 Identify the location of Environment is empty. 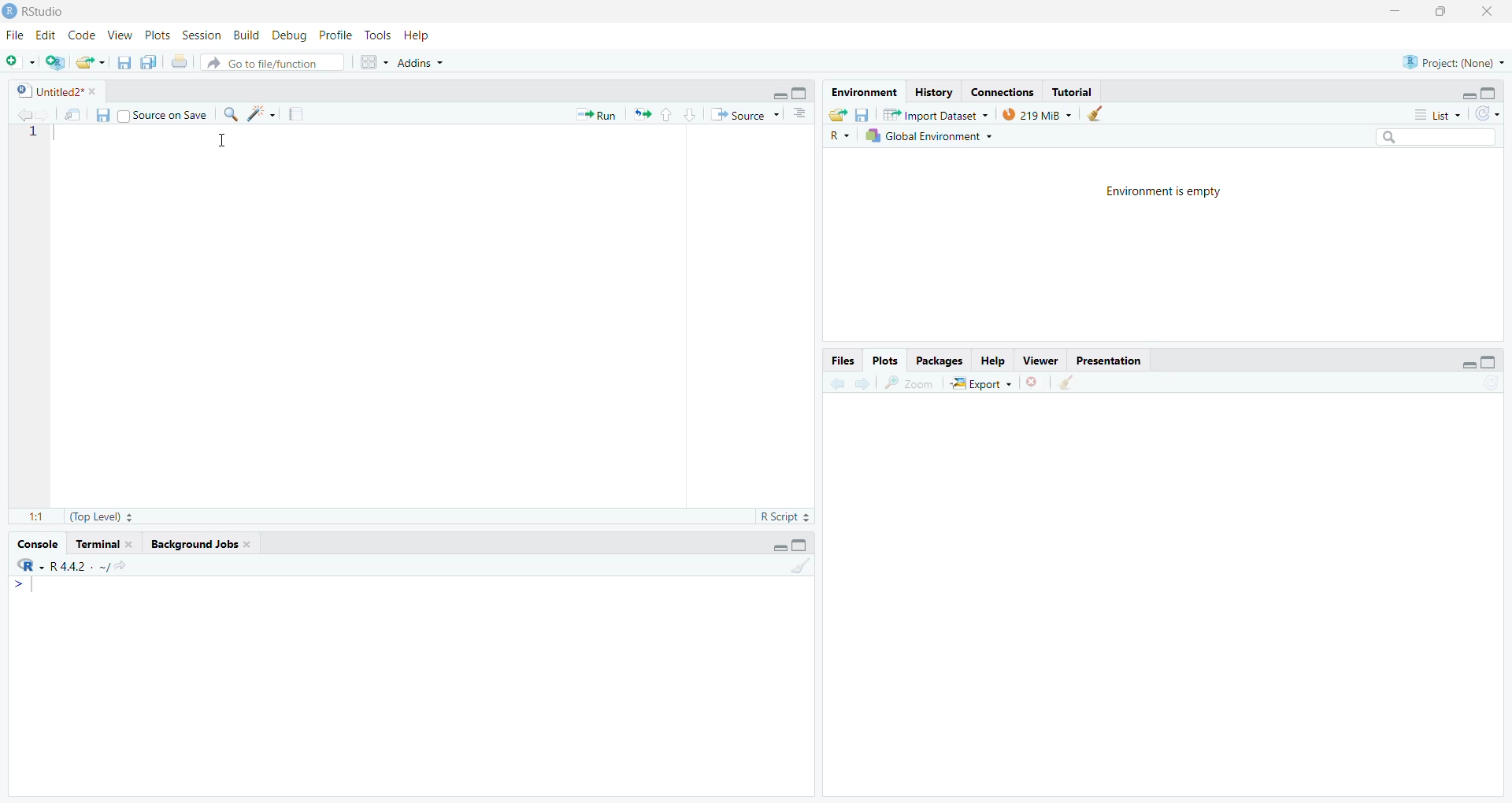
(1165, 192).